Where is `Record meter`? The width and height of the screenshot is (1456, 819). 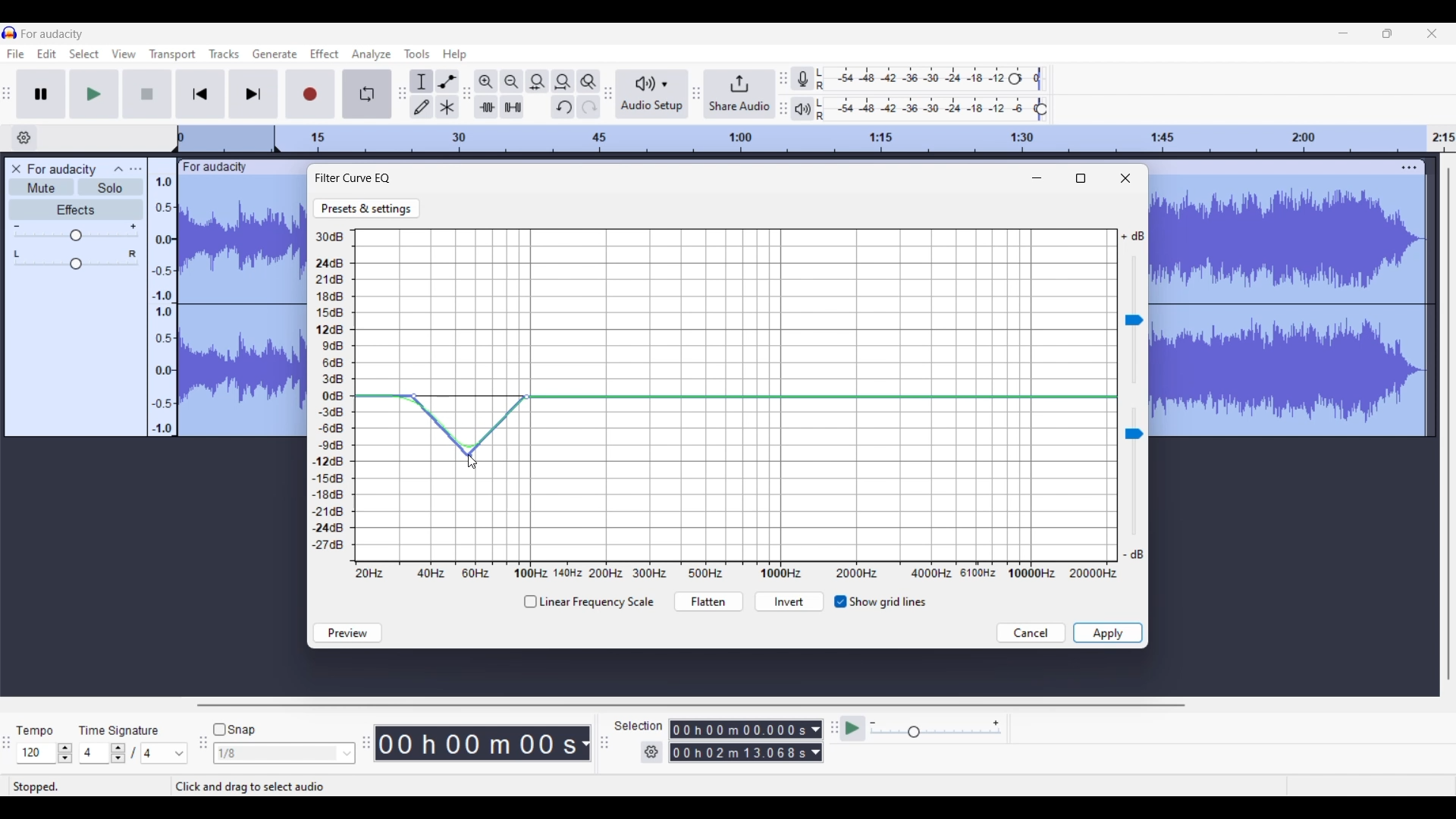
Record meter is located at coordinates (803, 78).